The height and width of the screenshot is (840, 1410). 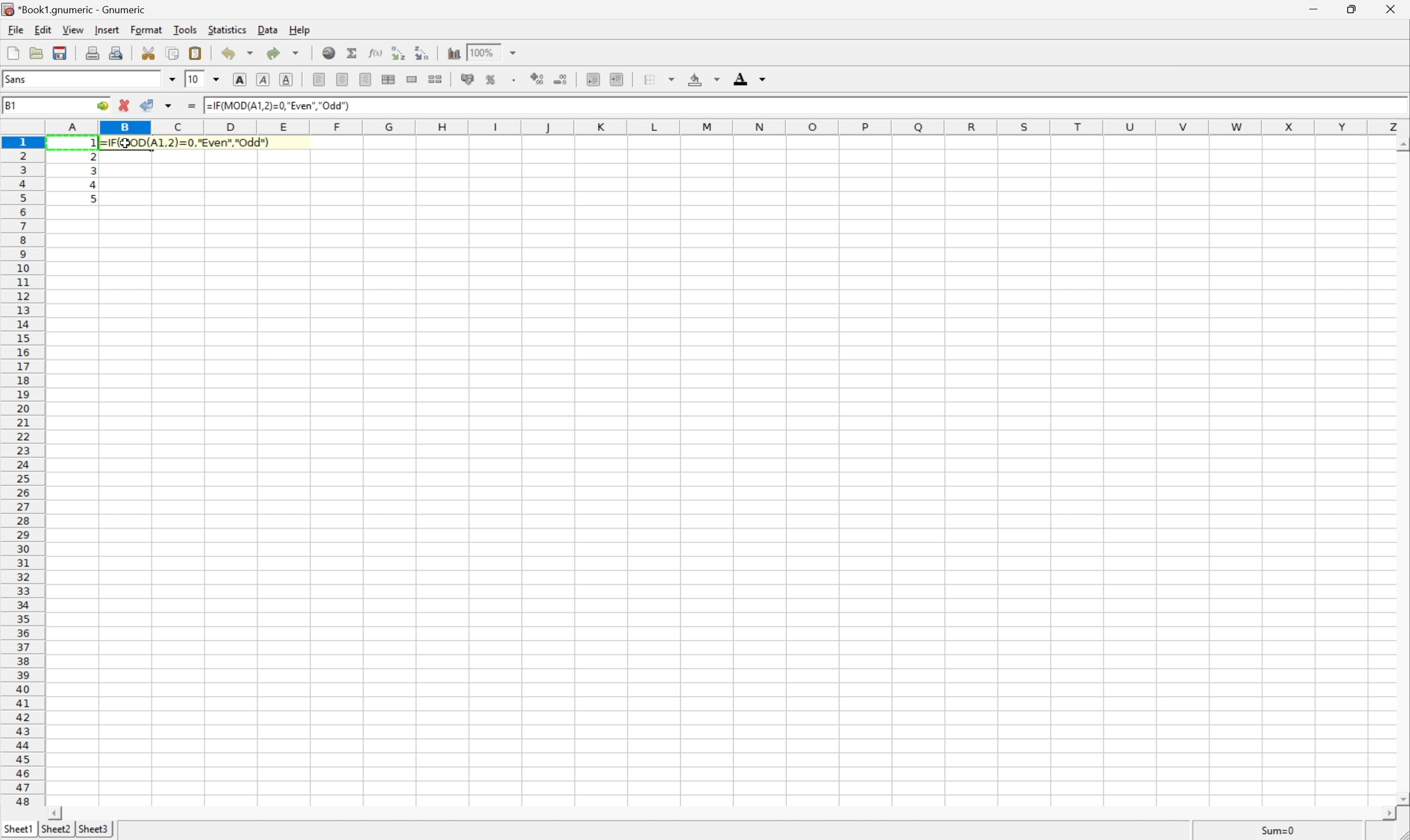 I want to click on Open a file, so click(x=35, y=53).